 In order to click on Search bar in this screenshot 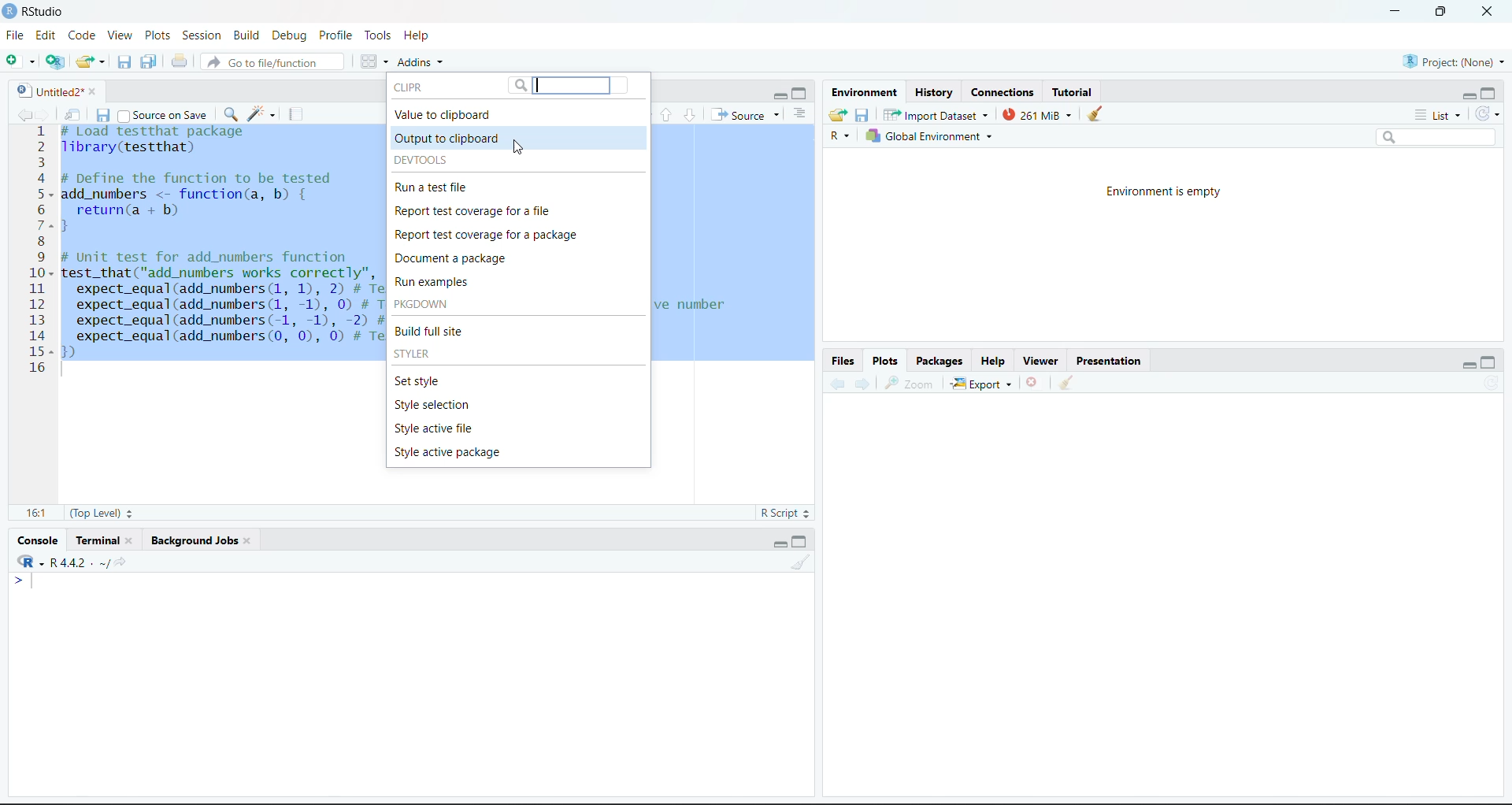, I will do `click(568, 86)`.